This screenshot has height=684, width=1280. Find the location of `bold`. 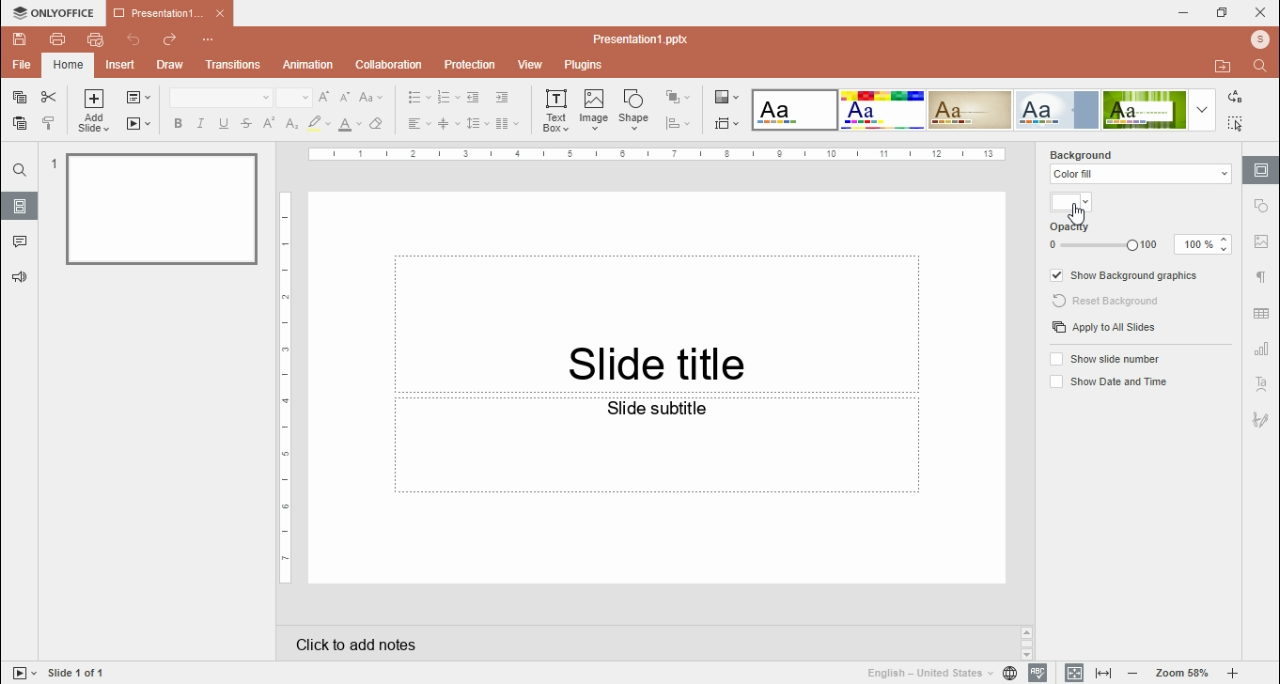

bold is located at coordinates (178, 124).